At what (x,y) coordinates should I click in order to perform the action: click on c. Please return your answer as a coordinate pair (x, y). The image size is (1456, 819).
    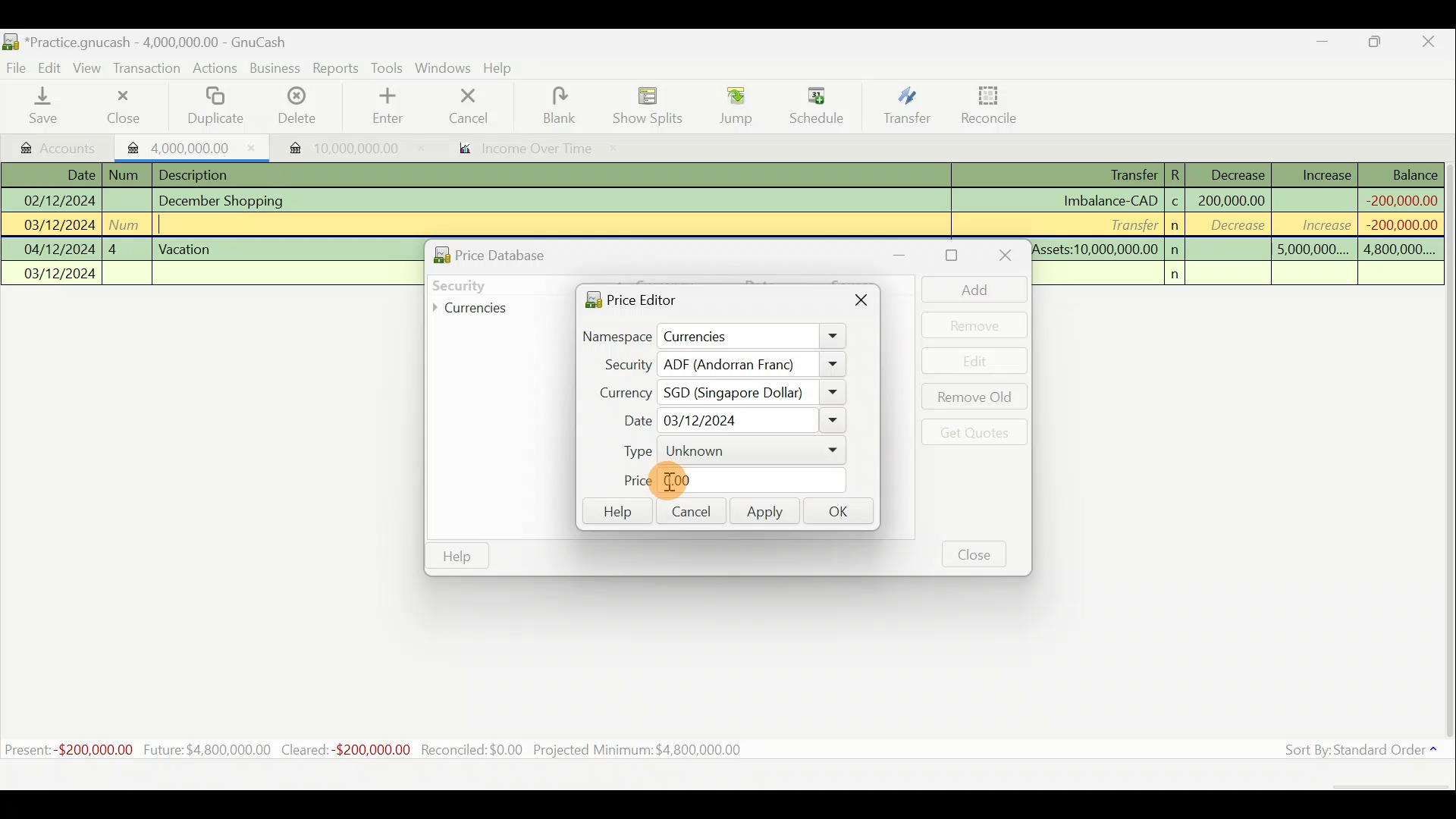
    Looking at the image, I should click on (1175, 203).